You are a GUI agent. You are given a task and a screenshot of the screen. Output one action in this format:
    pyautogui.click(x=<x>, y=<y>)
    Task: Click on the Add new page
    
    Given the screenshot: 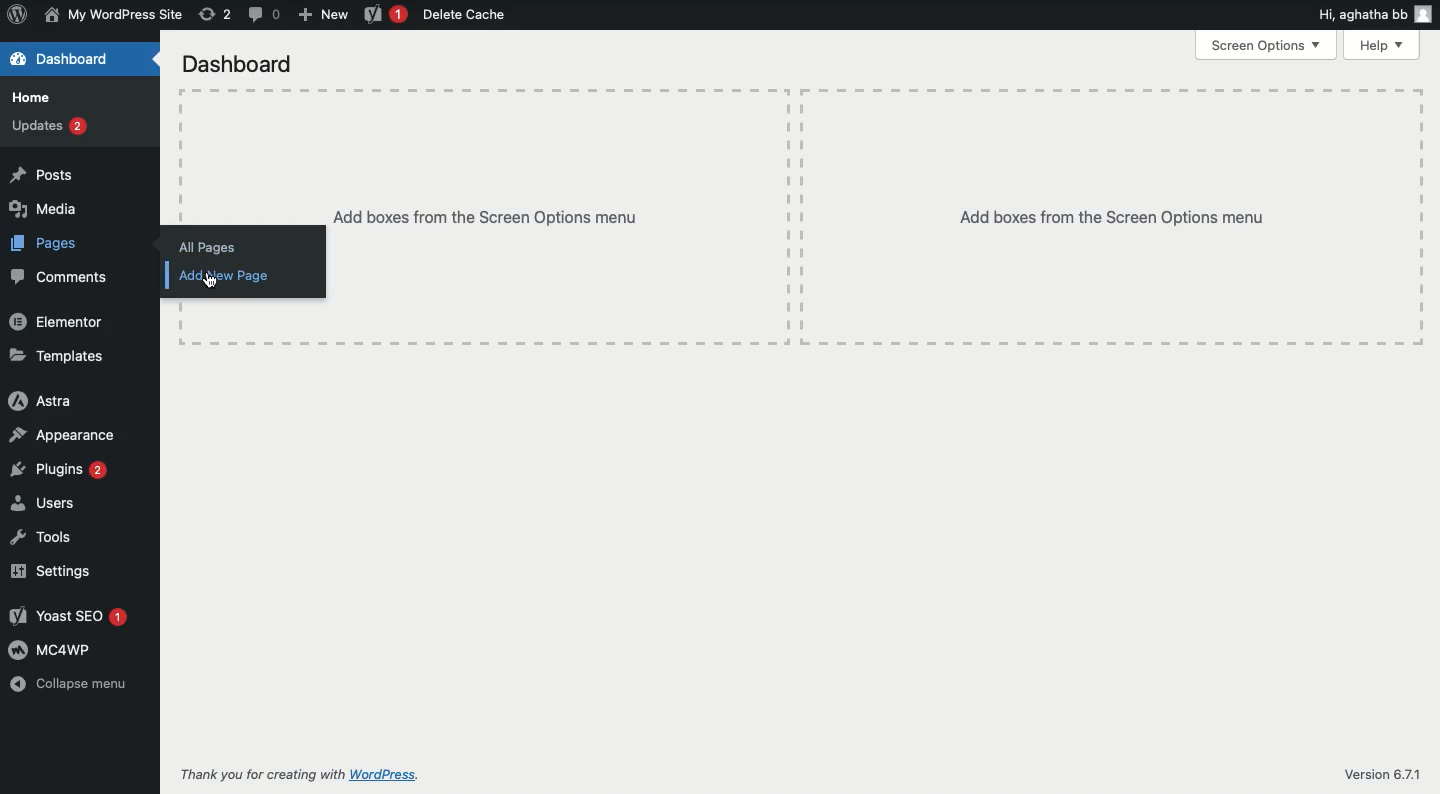 What is the action you would take?
    pyautogui.click(x=242, y=276)
    